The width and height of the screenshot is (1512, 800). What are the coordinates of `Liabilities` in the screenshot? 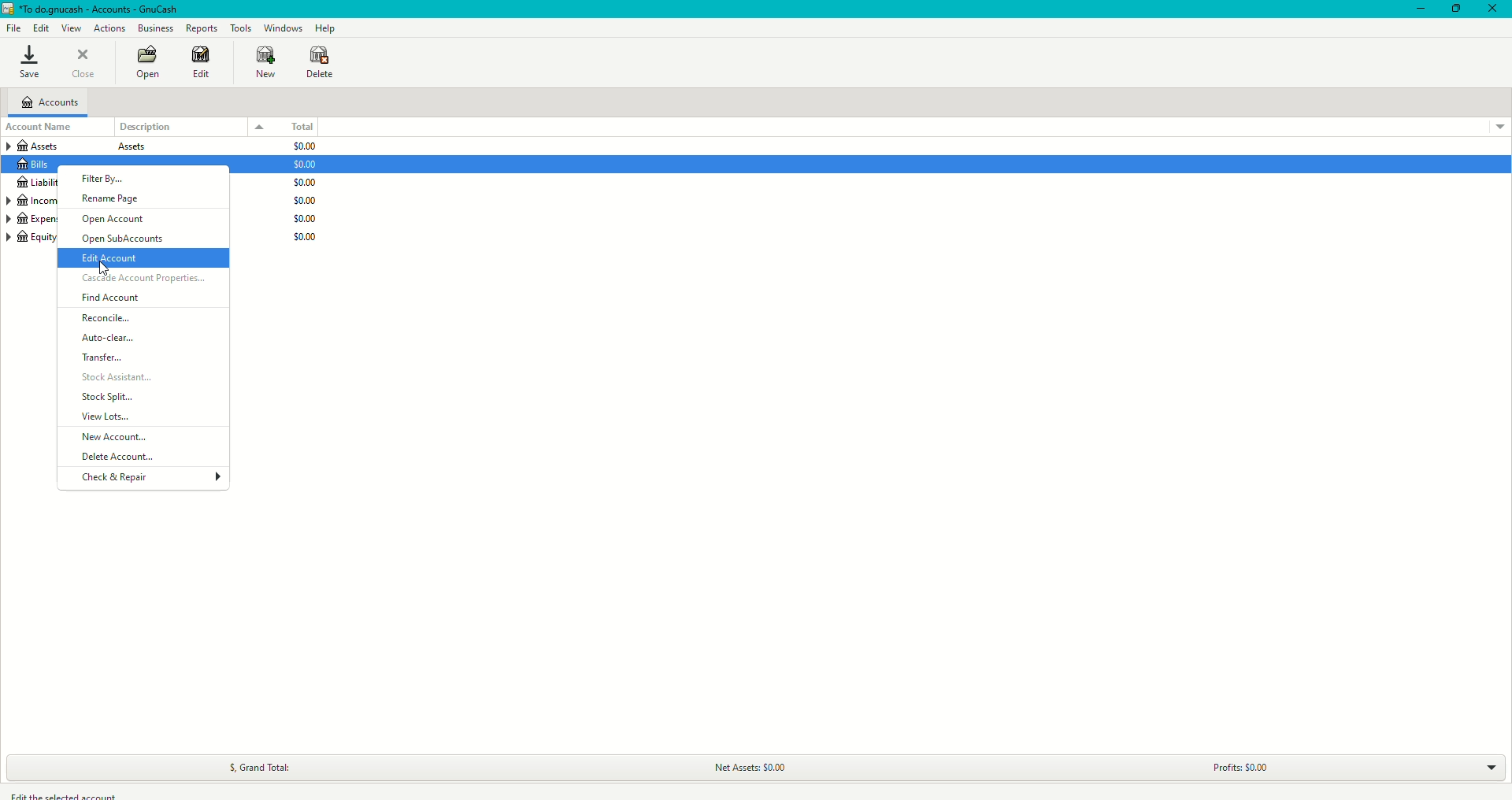 It's located at (32, 182).